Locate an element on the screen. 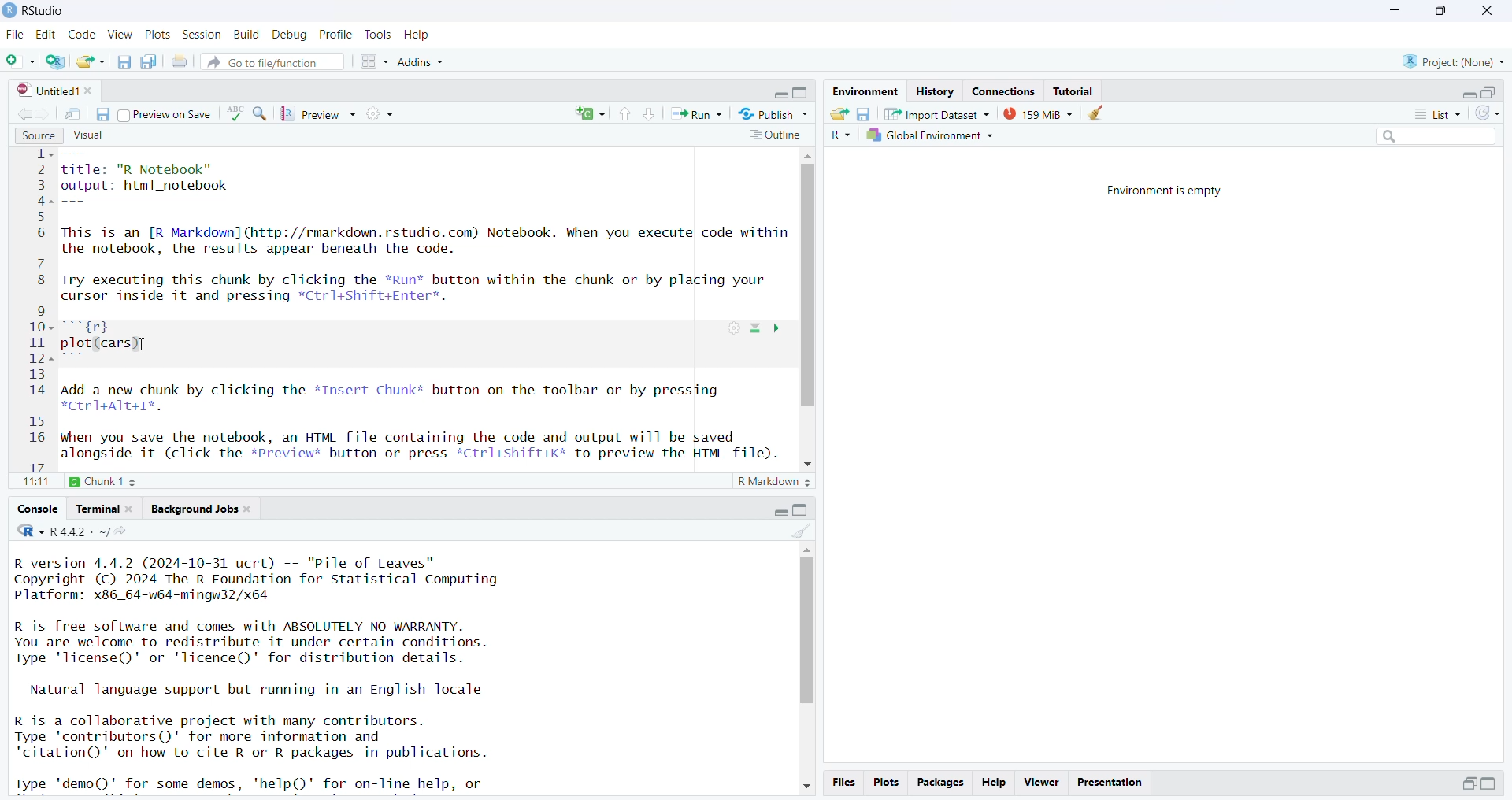  project(None) is located at coordinates (1453, 62).